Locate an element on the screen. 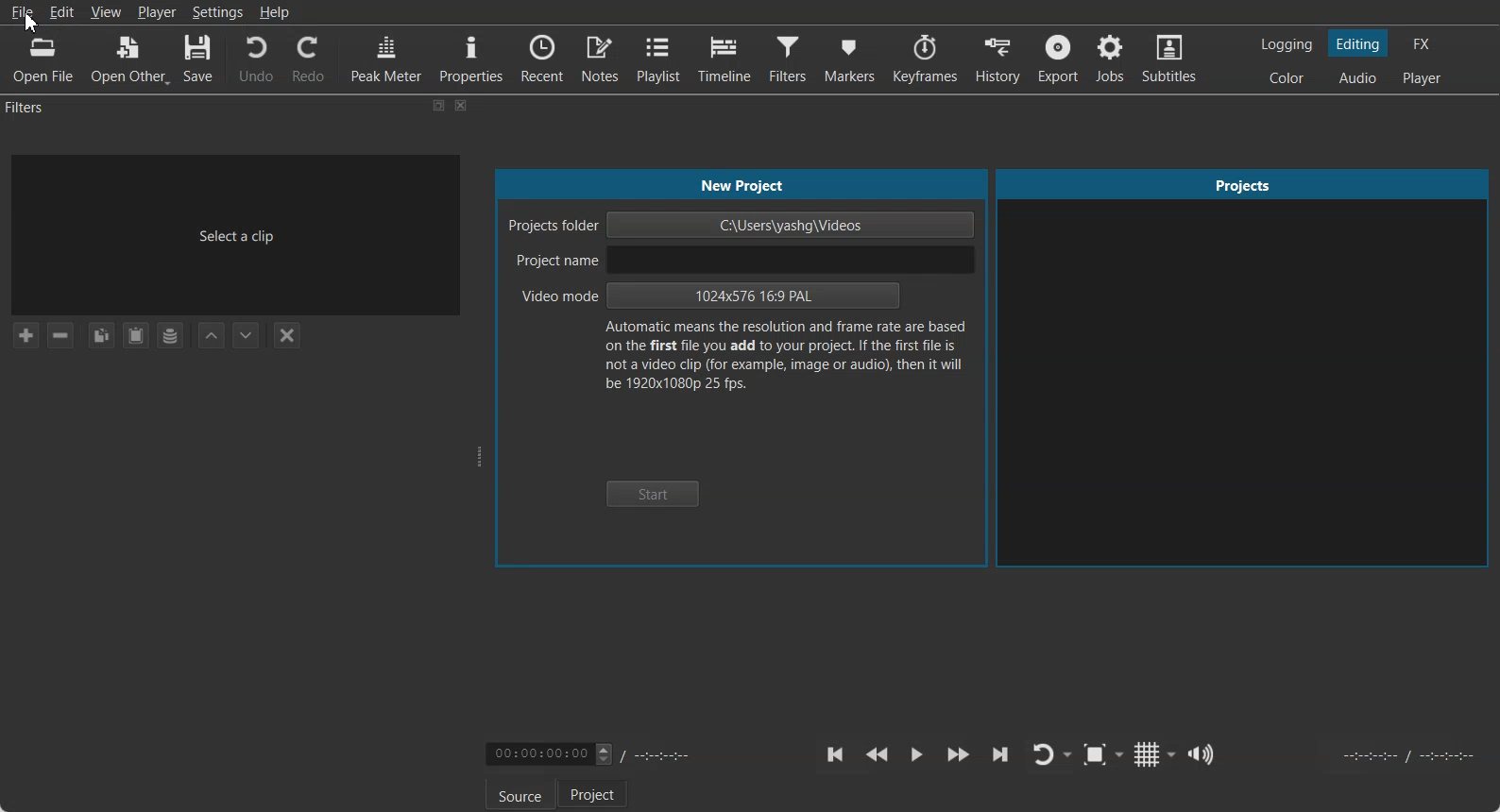 The image size is (1500, 812). Text is located at coordinates (784, 360).